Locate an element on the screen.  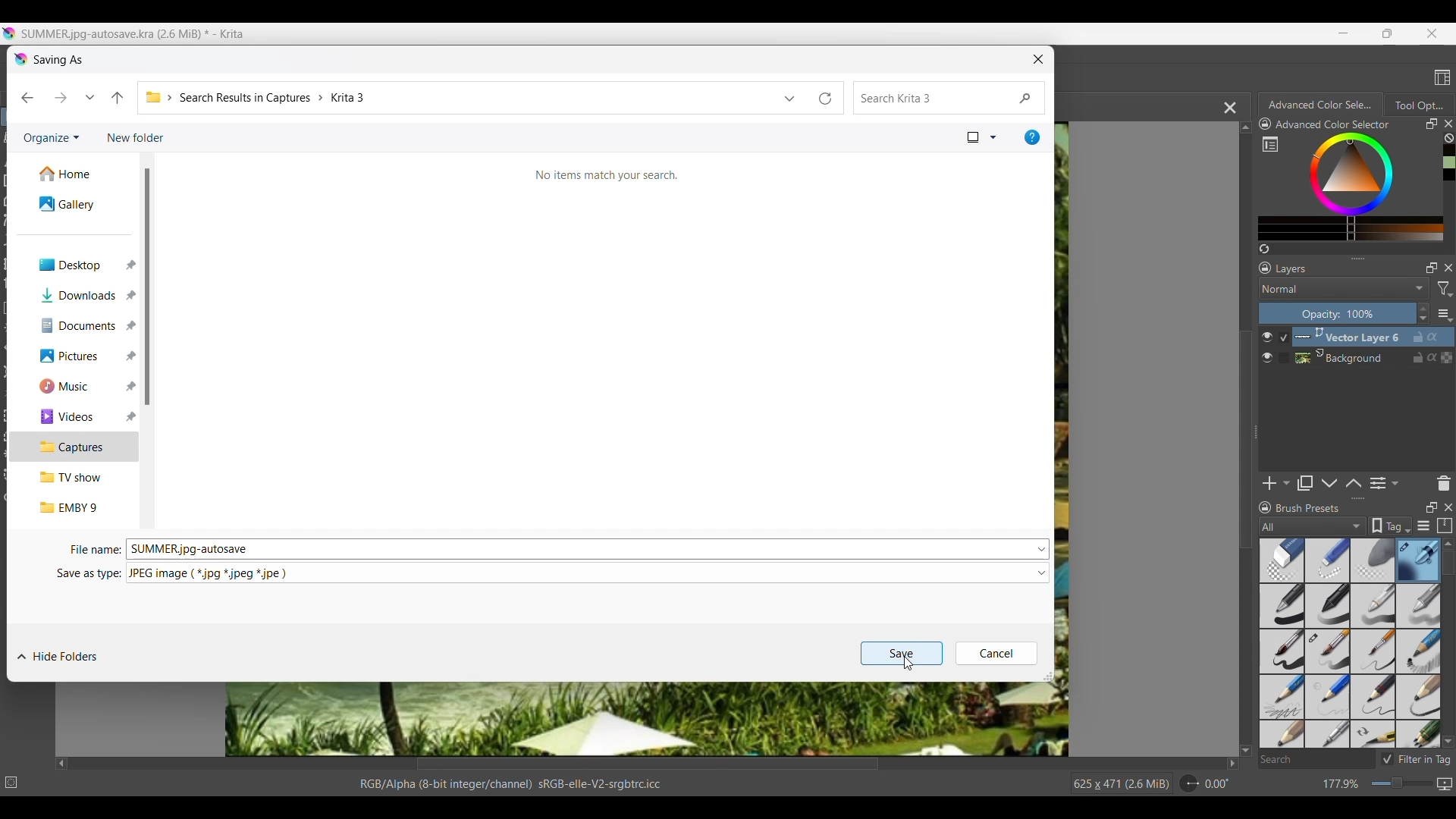
Storage resources is located at coordinates (1444, 526).